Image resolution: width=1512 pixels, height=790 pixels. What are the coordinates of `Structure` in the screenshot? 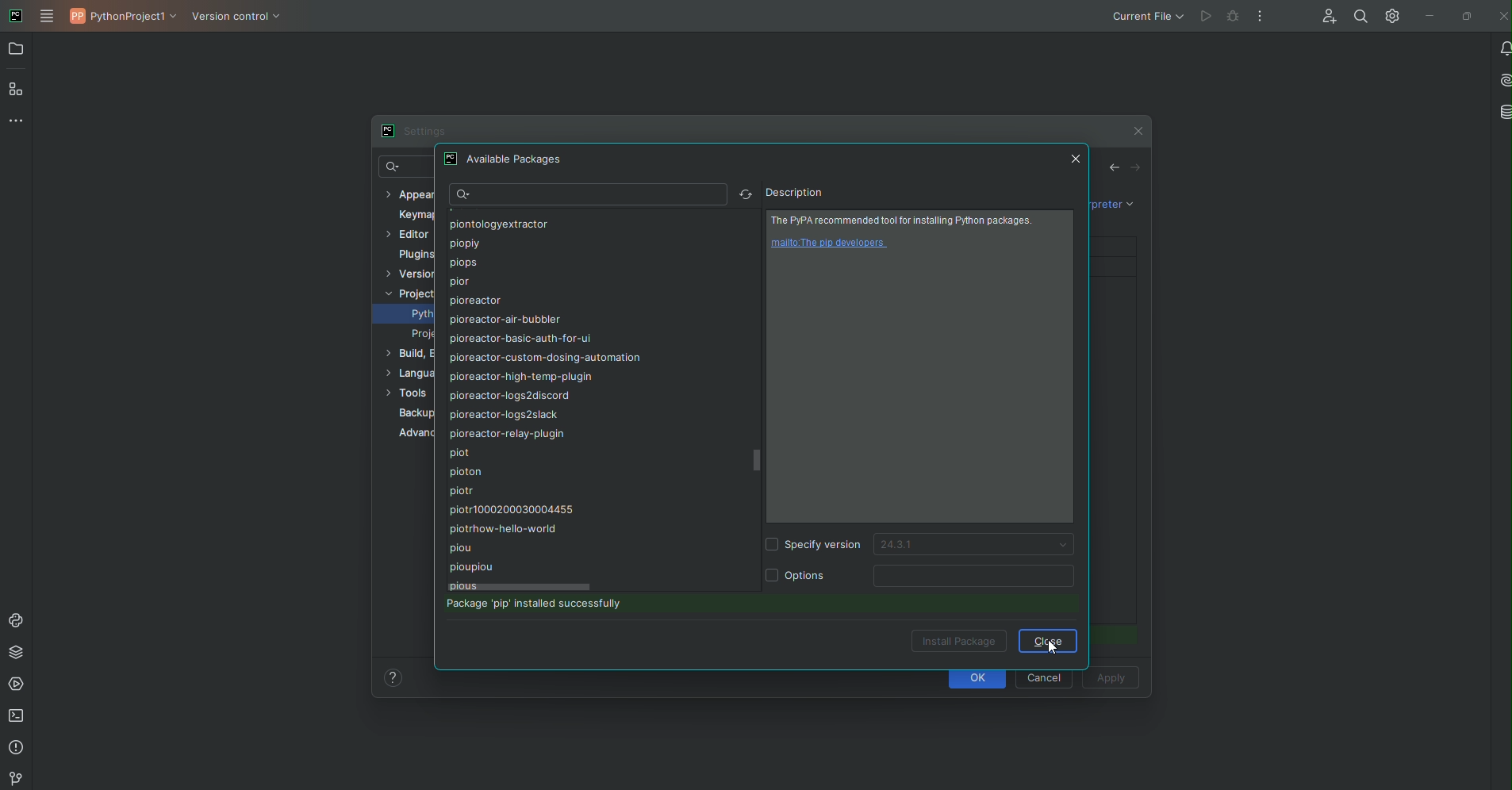 It's located at (18, 90).